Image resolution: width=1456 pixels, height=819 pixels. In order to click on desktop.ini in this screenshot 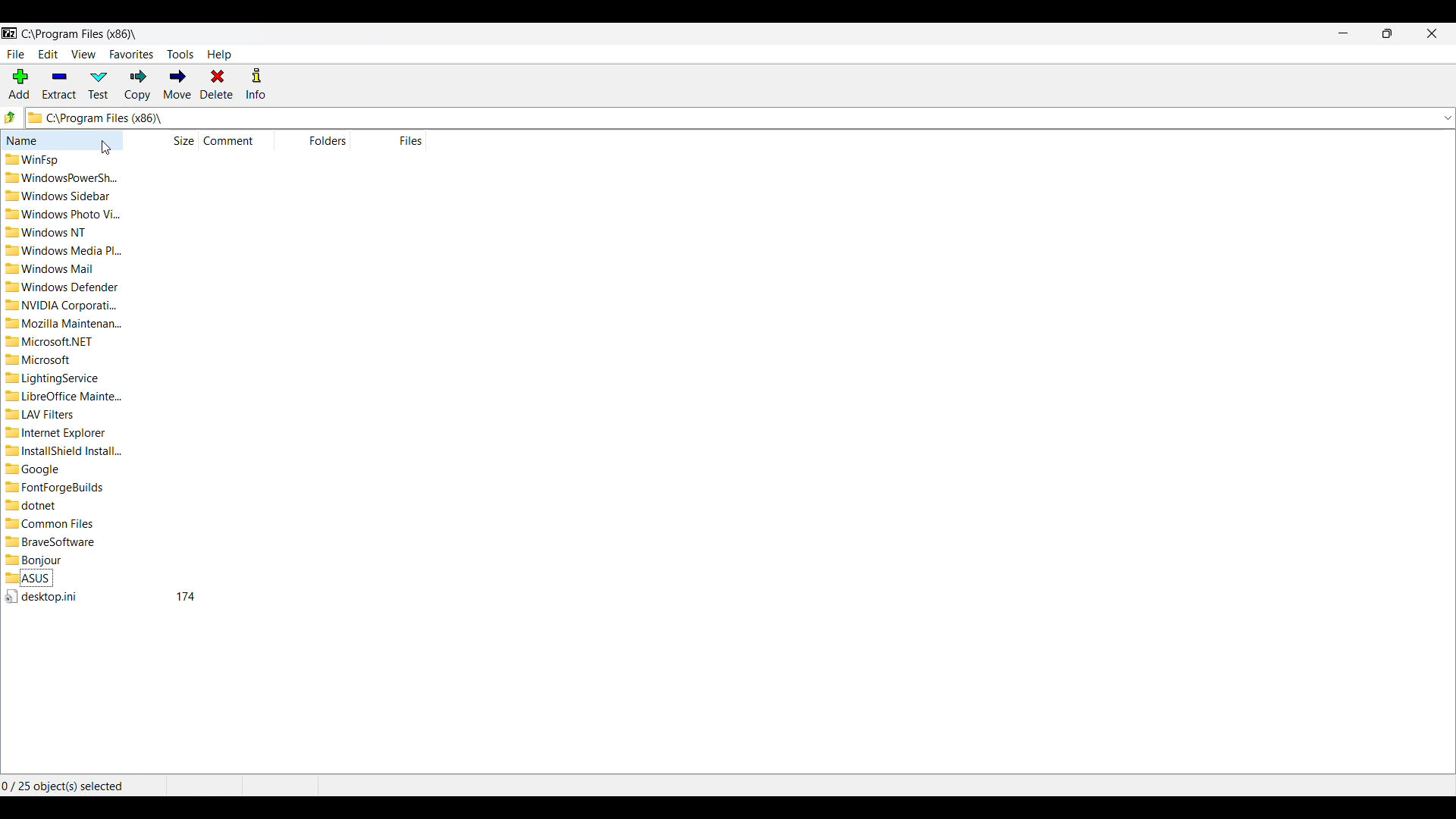, I will do `click(43, 596)`.